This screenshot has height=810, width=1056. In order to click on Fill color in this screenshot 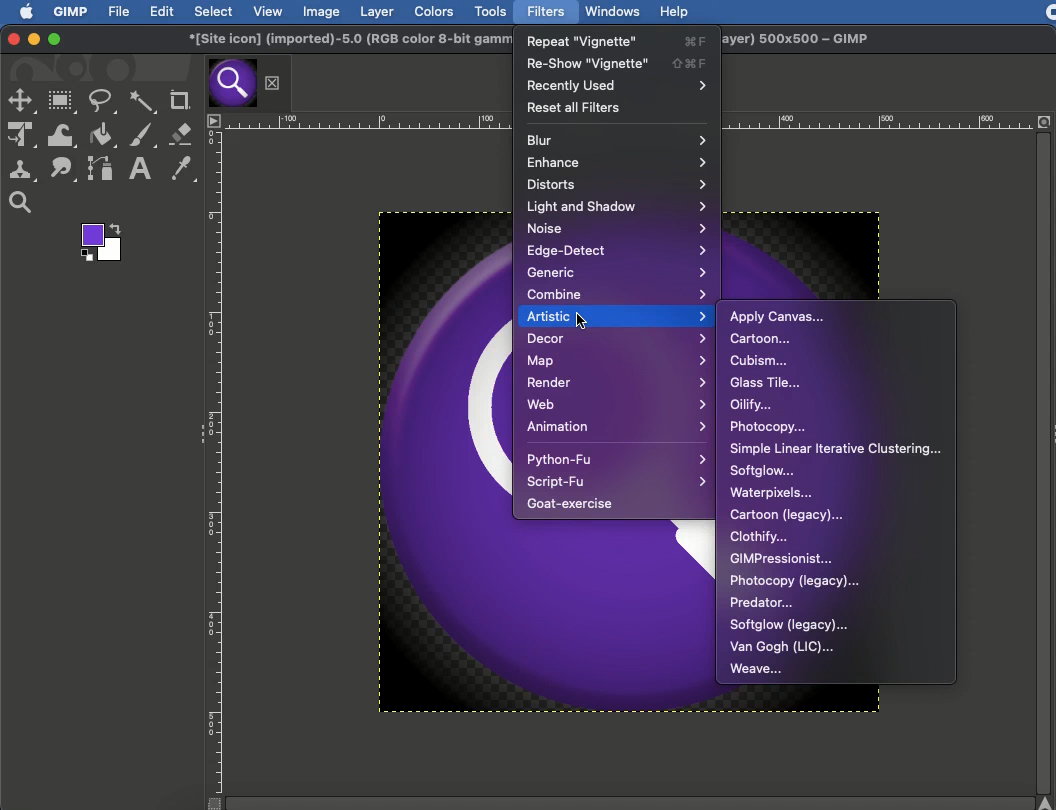, I will do `click(101, 136)`.